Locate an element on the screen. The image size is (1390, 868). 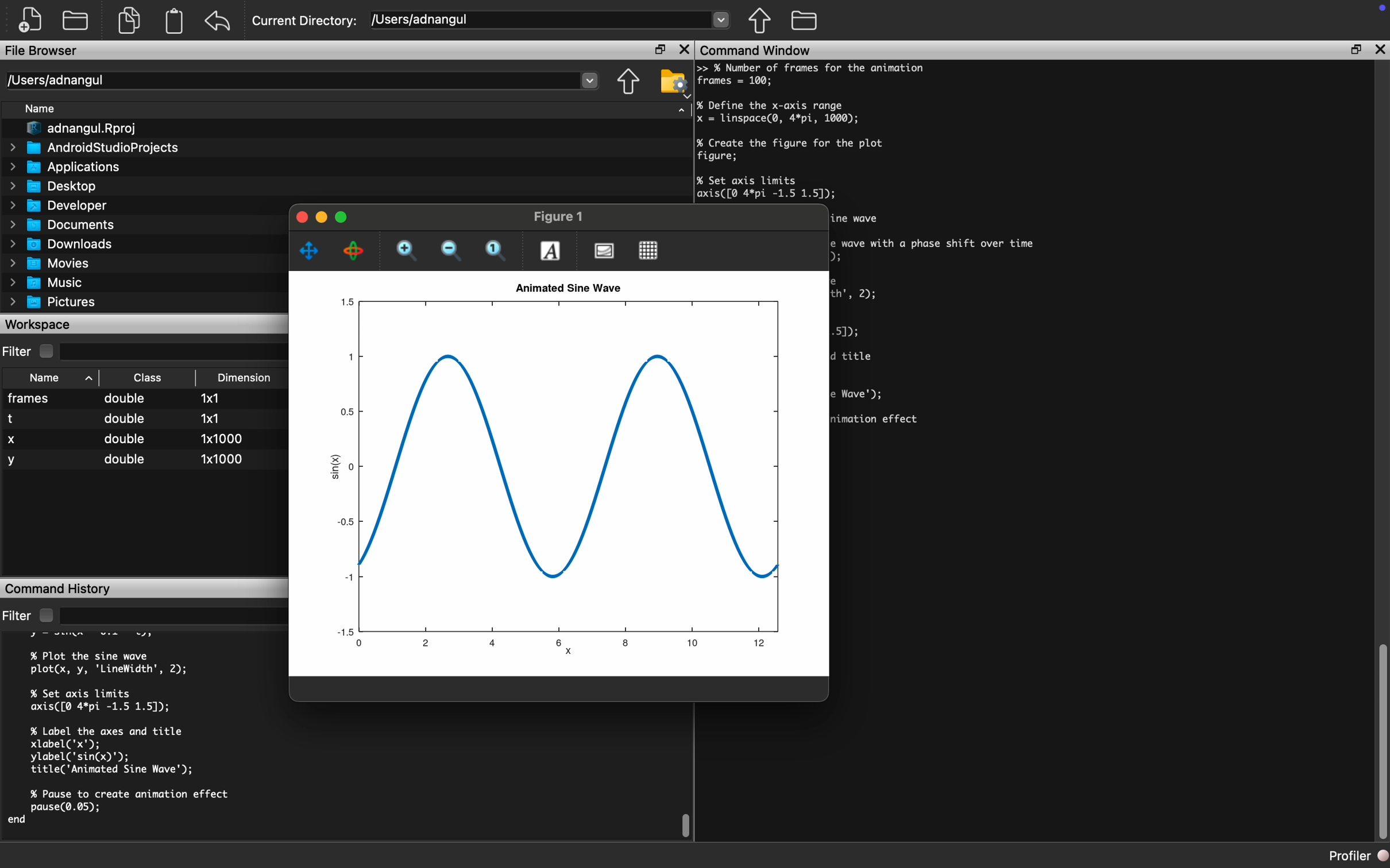
Filter is located at coordinates (18, 350).